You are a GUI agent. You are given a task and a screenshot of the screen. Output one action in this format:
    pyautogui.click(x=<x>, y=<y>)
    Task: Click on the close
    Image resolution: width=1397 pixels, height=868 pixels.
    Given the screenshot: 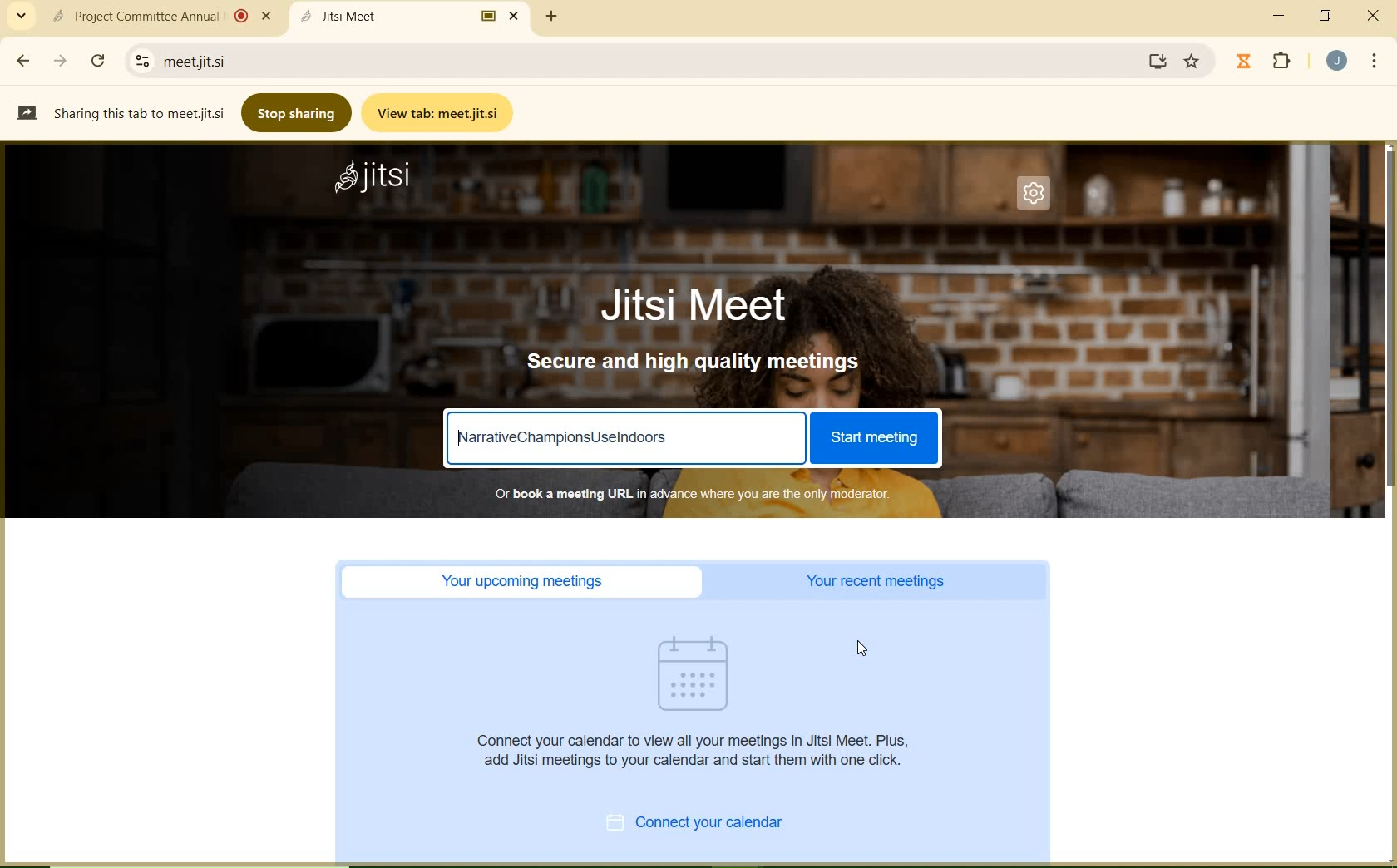 What is the action you would take?
    pyautogui.click(x=1375, y=13)
    